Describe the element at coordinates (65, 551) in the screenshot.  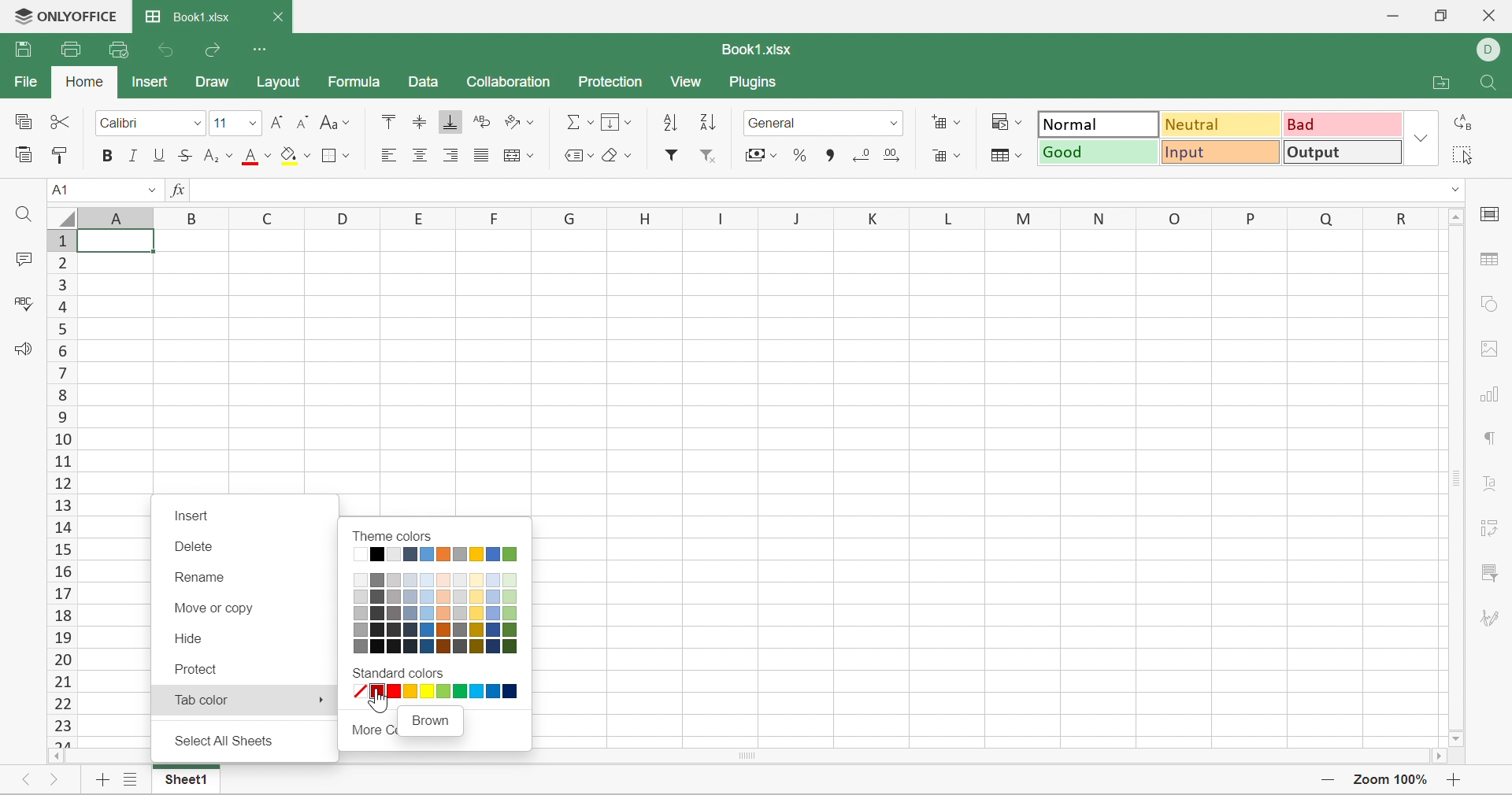
I see `15` at that location.